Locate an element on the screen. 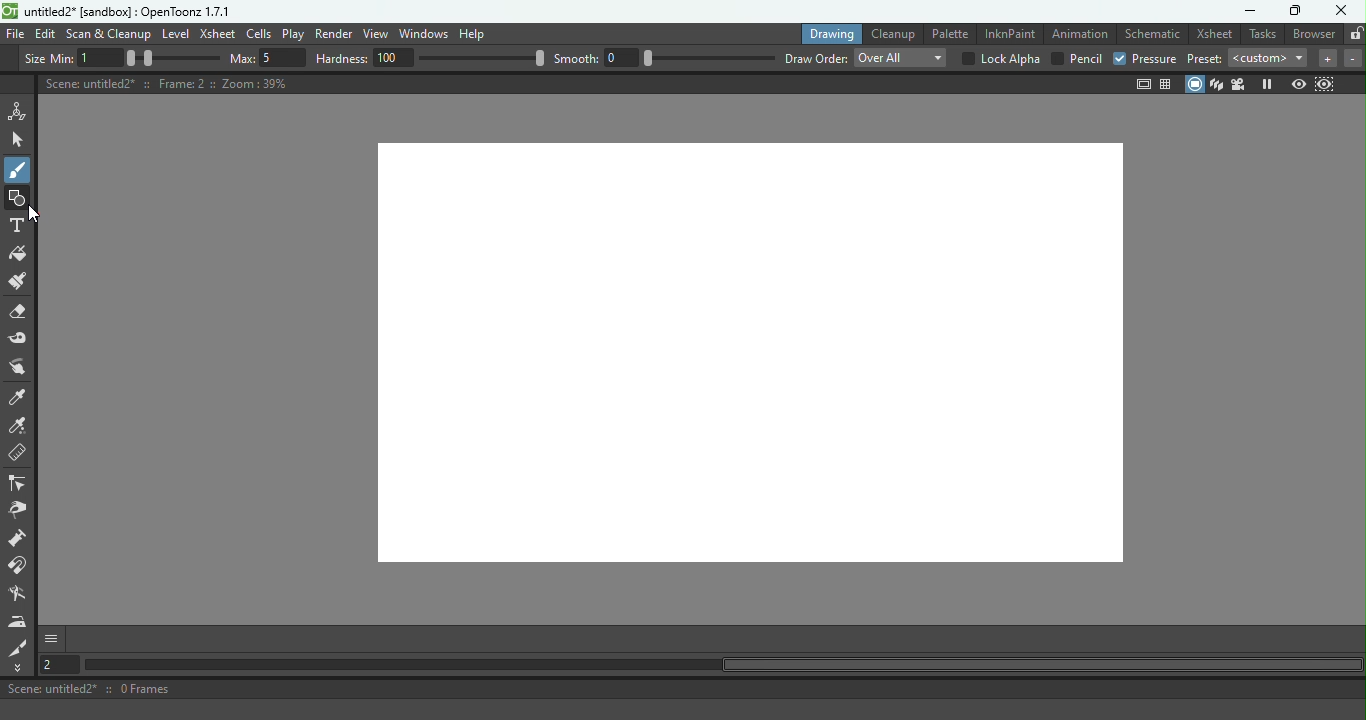 Image resolution: width=1366 pixels, height=720 pixels. Set the current frame is located at coordinates (58, 666).